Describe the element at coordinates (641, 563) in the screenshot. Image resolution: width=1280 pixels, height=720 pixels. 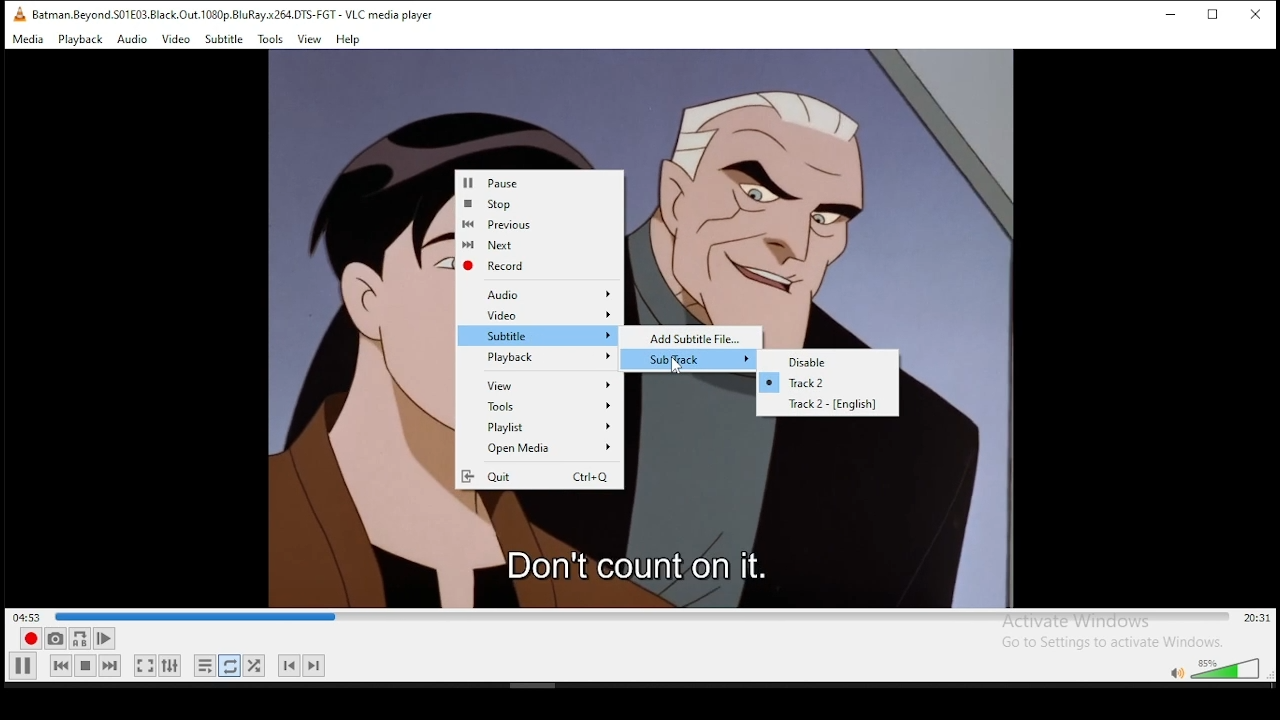
I see `Don't count on it.` at that location.